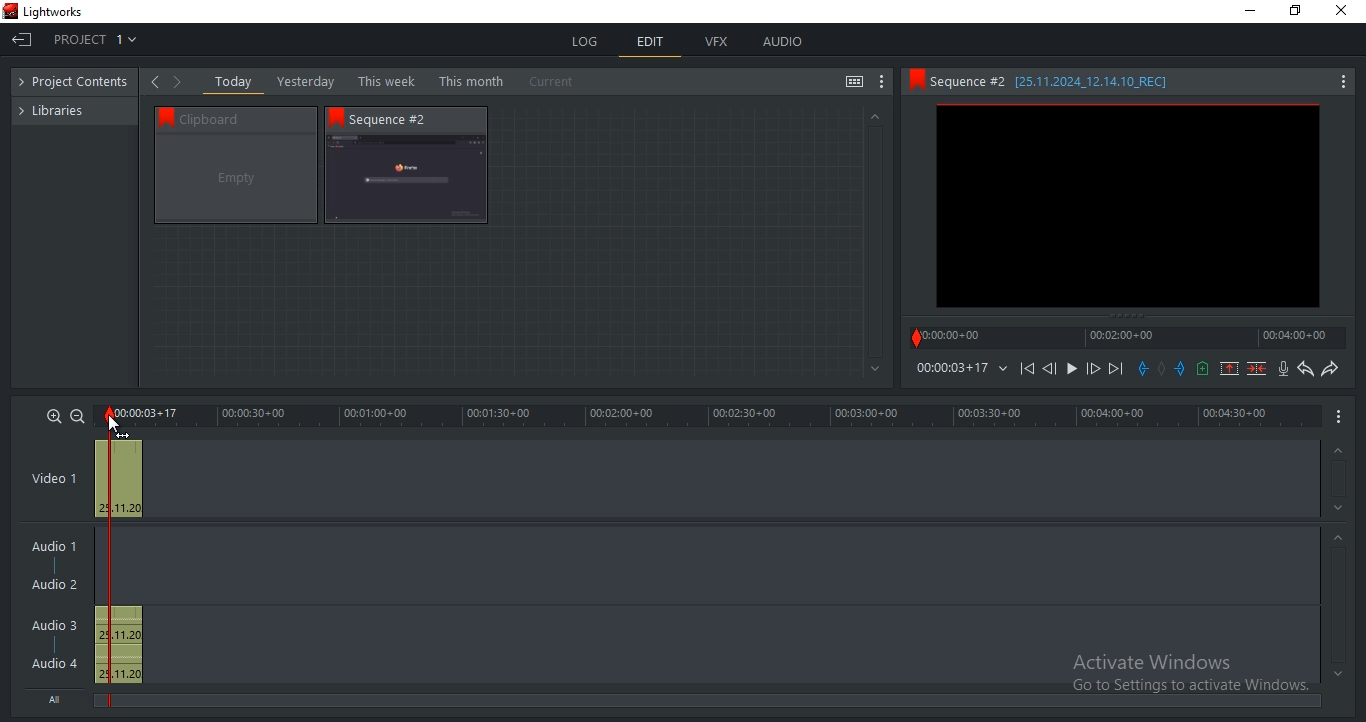  I want to click on cursor, so click(114, 423).